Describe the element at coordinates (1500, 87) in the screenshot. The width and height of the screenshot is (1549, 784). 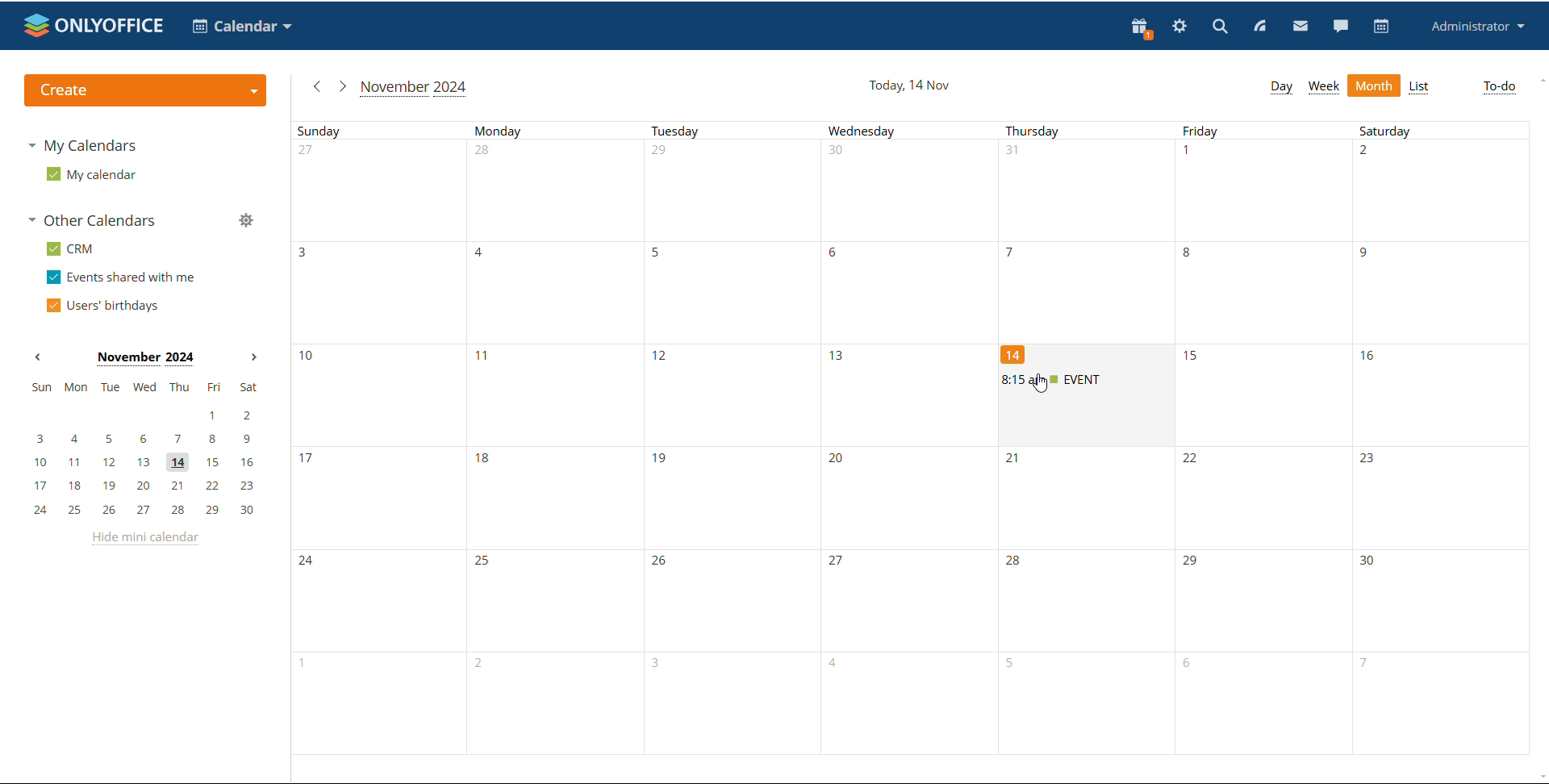
I see `to-do` at that location.